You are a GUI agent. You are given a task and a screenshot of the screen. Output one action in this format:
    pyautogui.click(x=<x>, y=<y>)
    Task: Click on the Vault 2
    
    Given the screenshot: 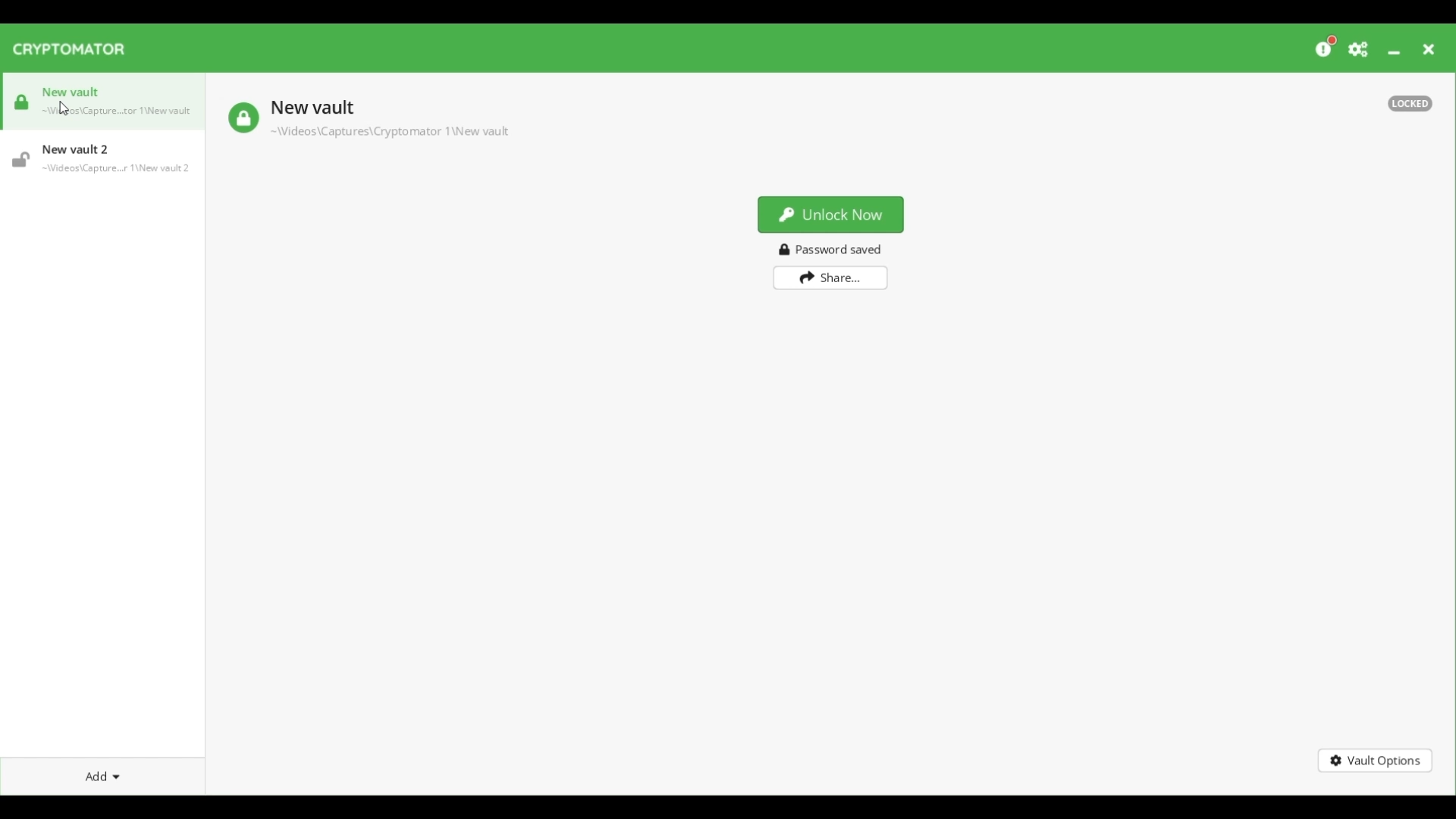 What is the action you would take?
    pyautogui.click(x=102, y=157)
    